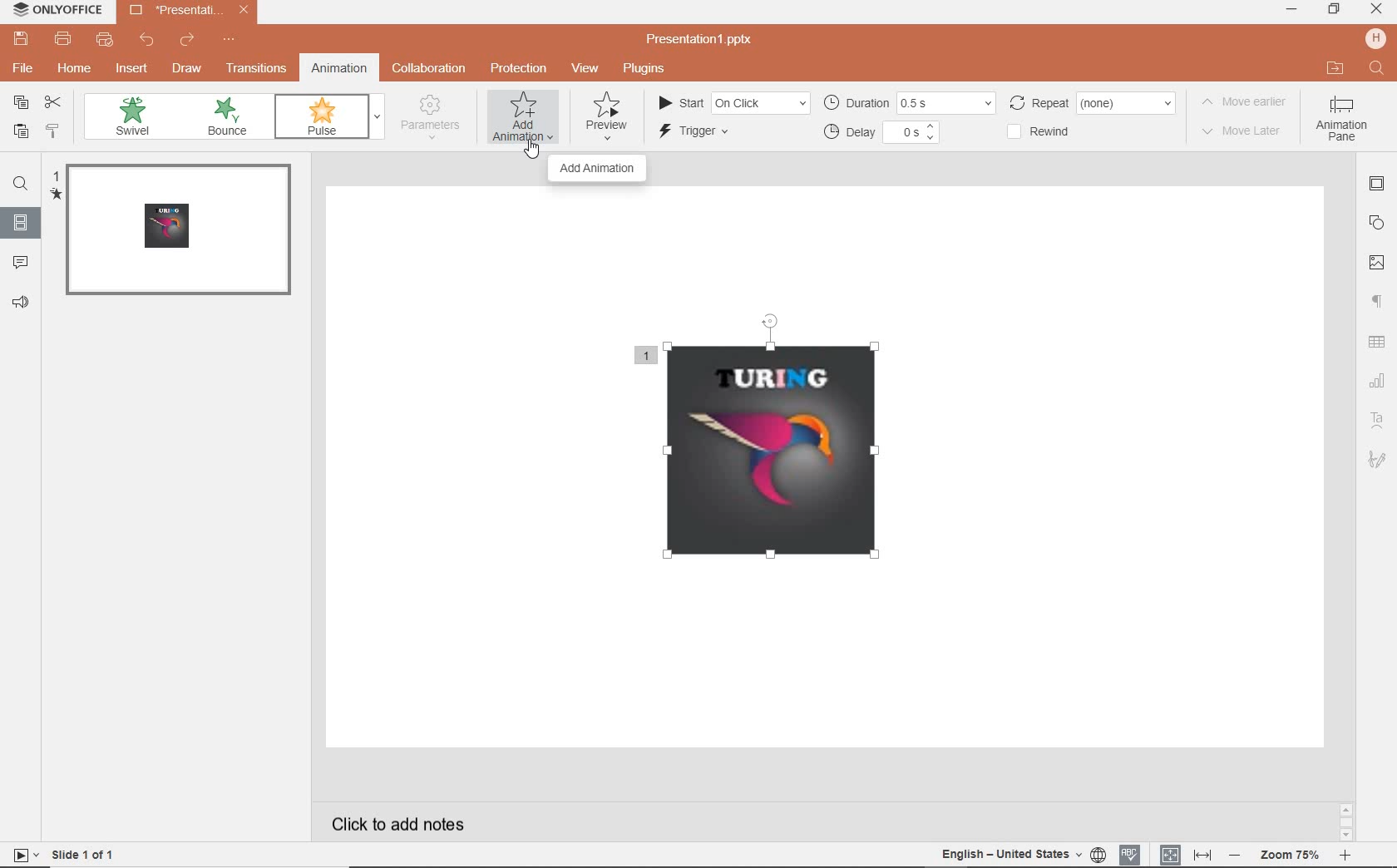  I want to click on delay, so click(881, 133).